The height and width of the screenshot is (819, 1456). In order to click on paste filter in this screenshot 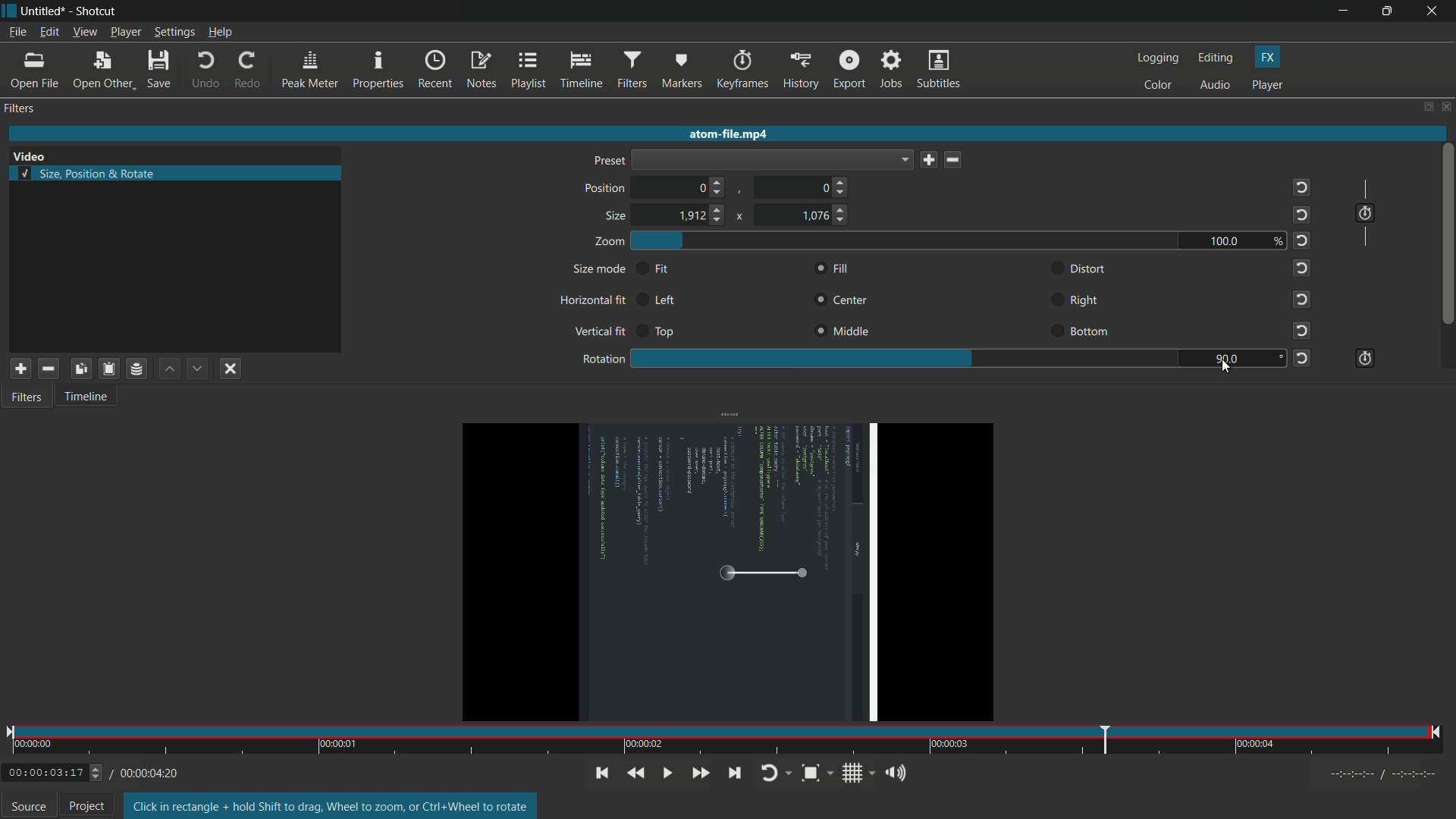, I will do `click(108, 369)`.